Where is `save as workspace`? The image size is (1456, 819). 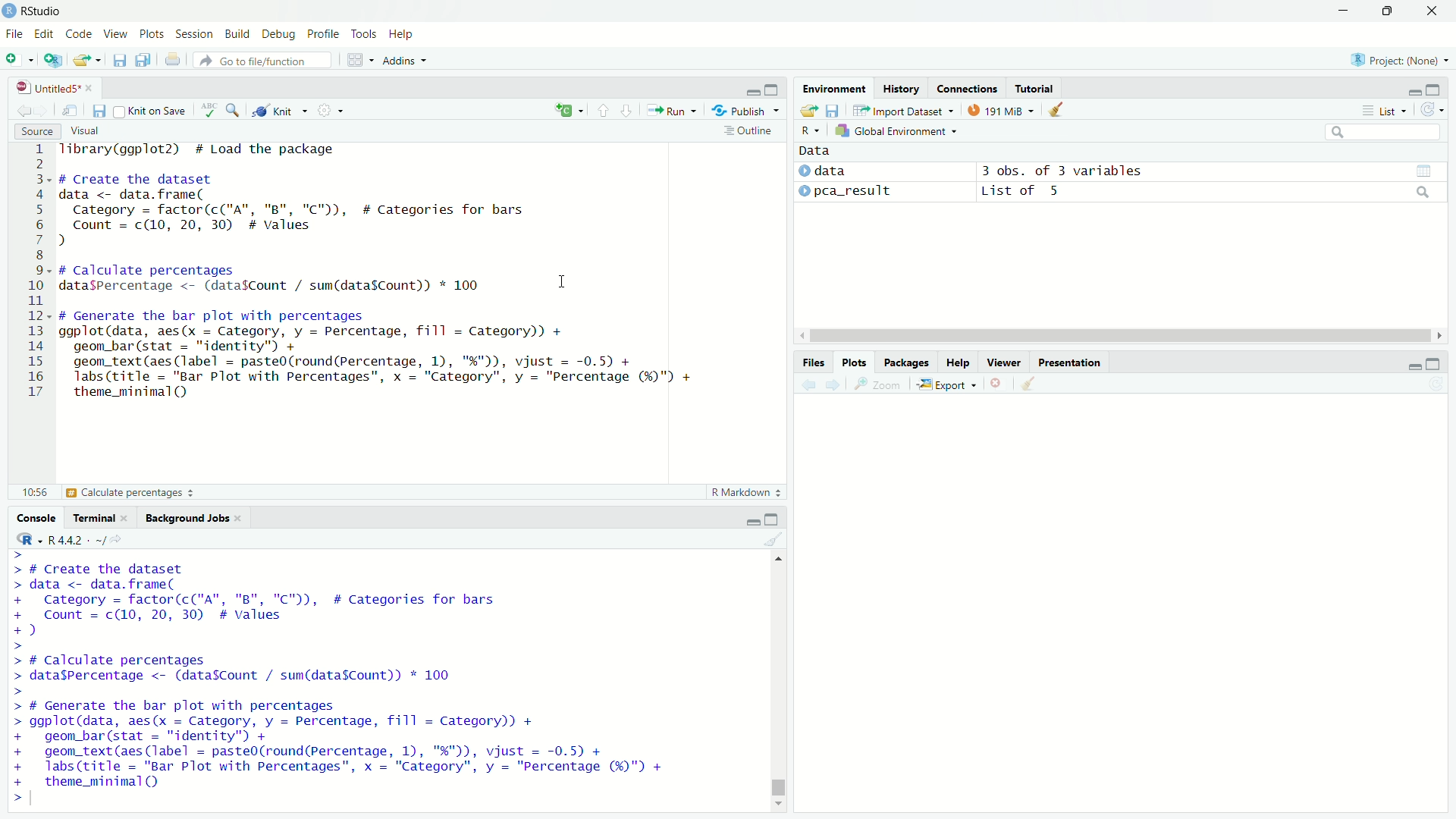
save as workspace is located at coordinates (836, 110).